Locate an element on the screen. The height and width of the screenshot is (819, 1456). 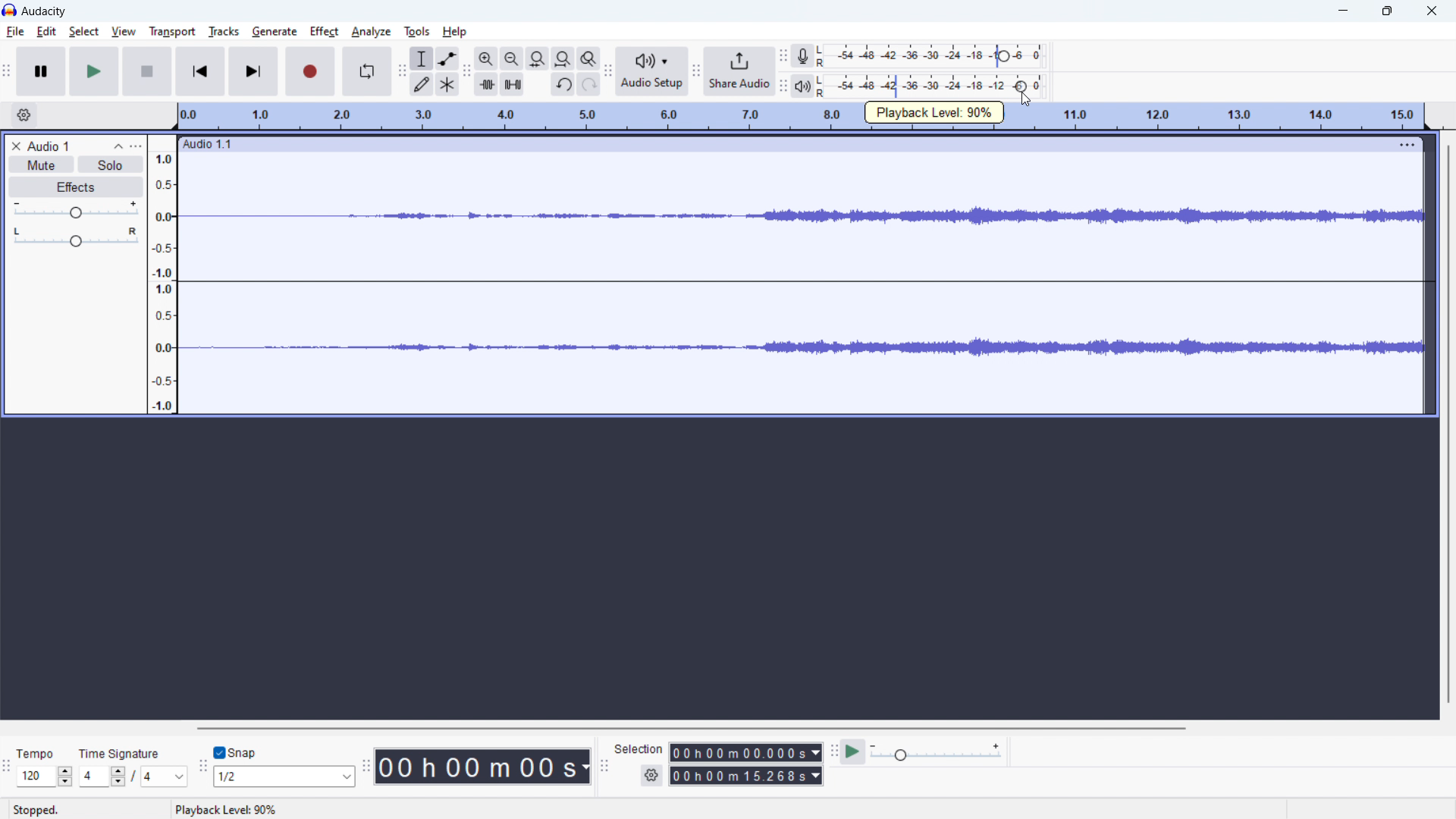
pause is located at coordinates (41, 71).